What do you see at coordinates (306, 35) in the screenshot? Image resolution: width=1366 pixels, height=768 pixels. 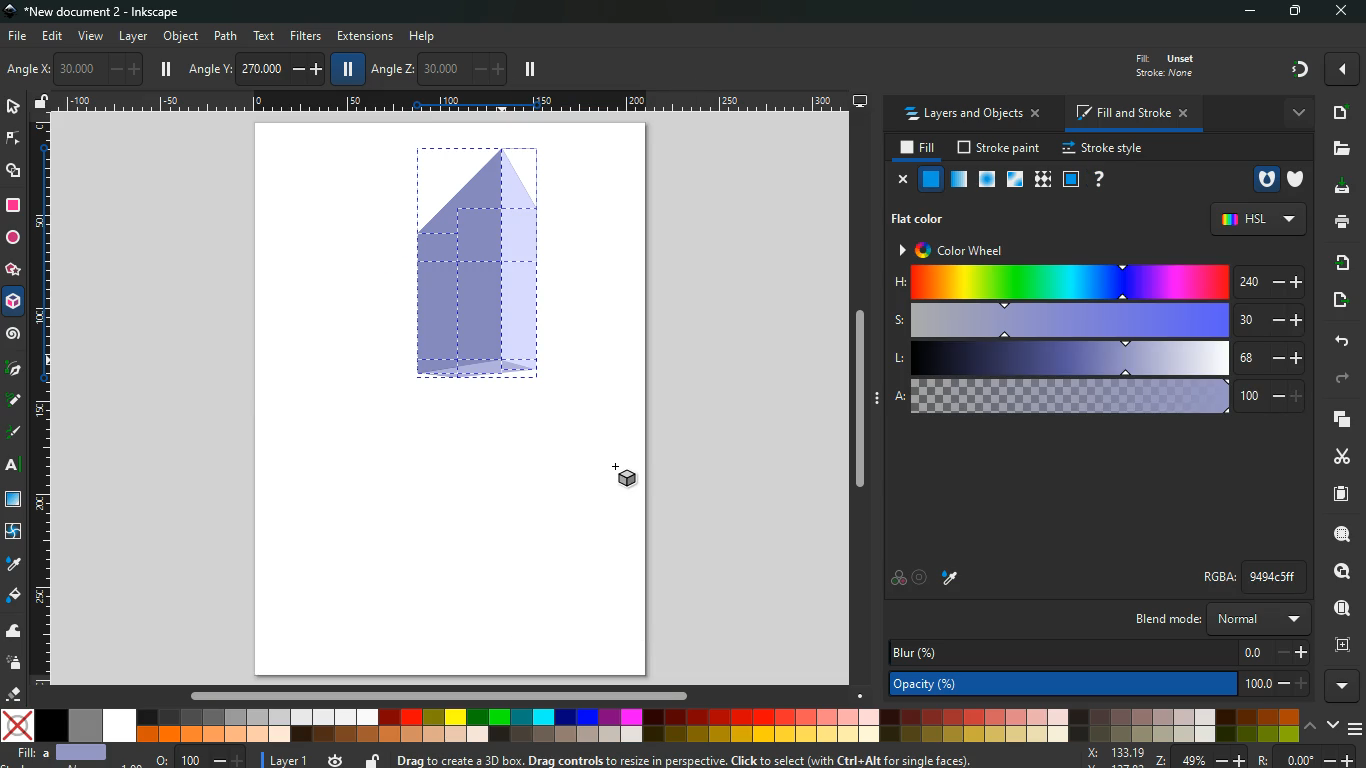 I see `filters` at bounding box center [306, 35].